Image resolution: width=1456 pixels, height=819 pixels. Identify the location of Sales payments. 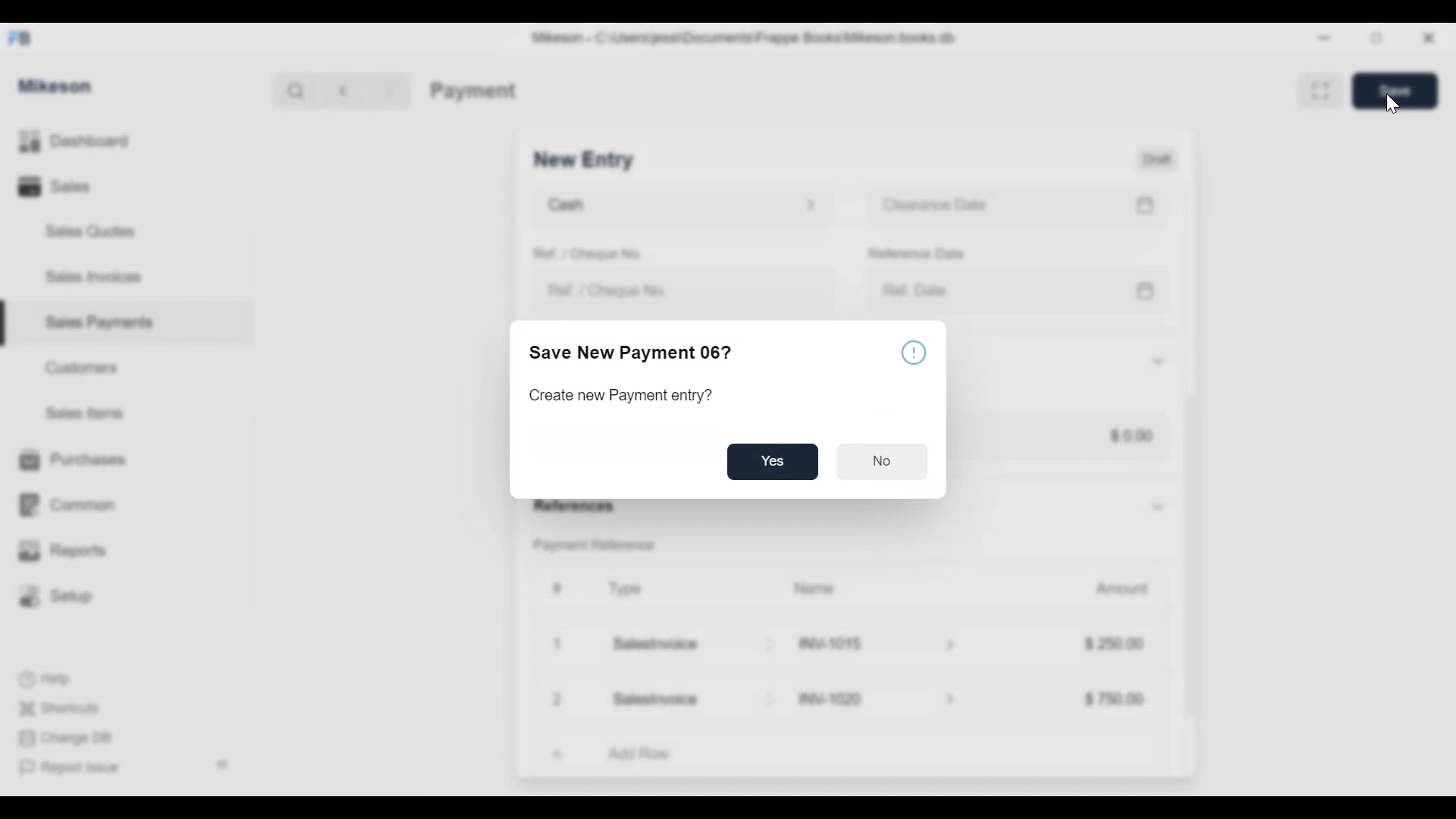
(102, 322).